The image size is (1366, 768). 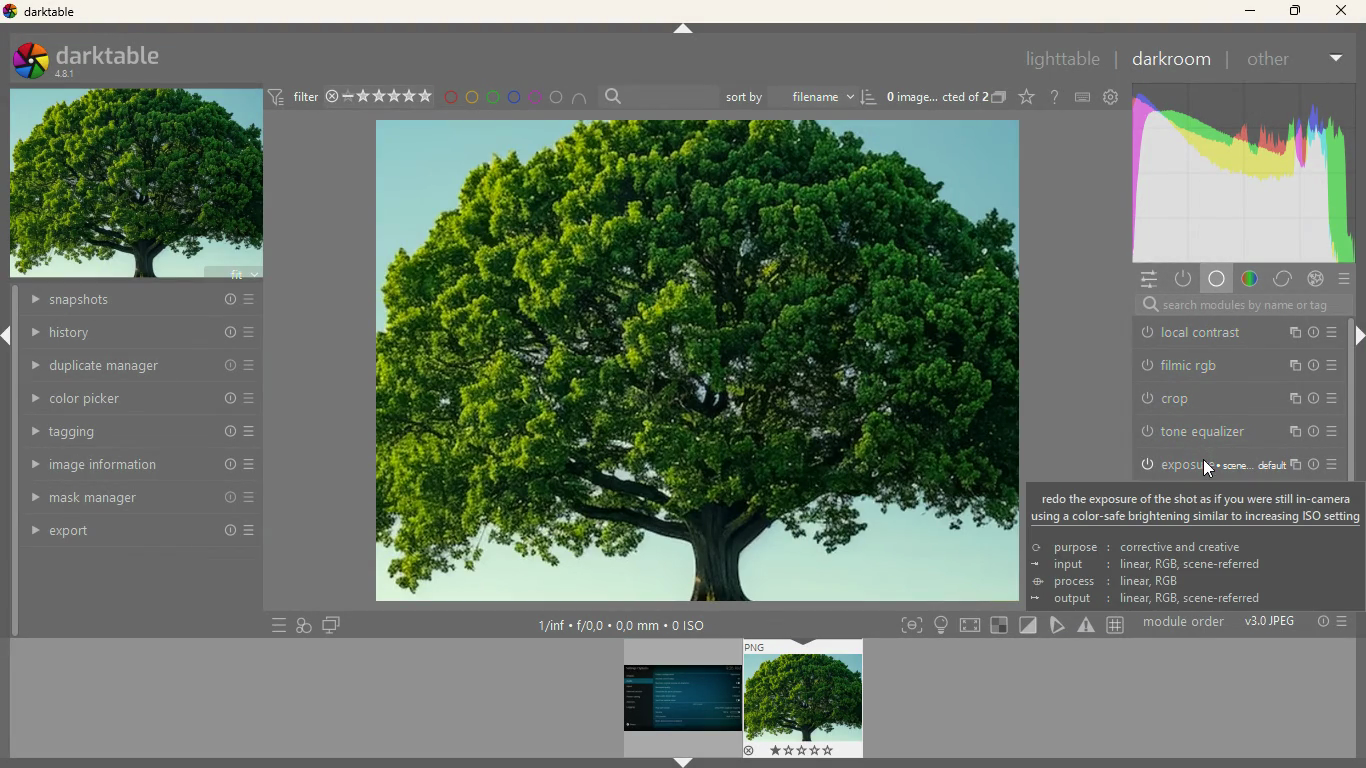 I want to click on darkroom, so click(x=1176, y=61).